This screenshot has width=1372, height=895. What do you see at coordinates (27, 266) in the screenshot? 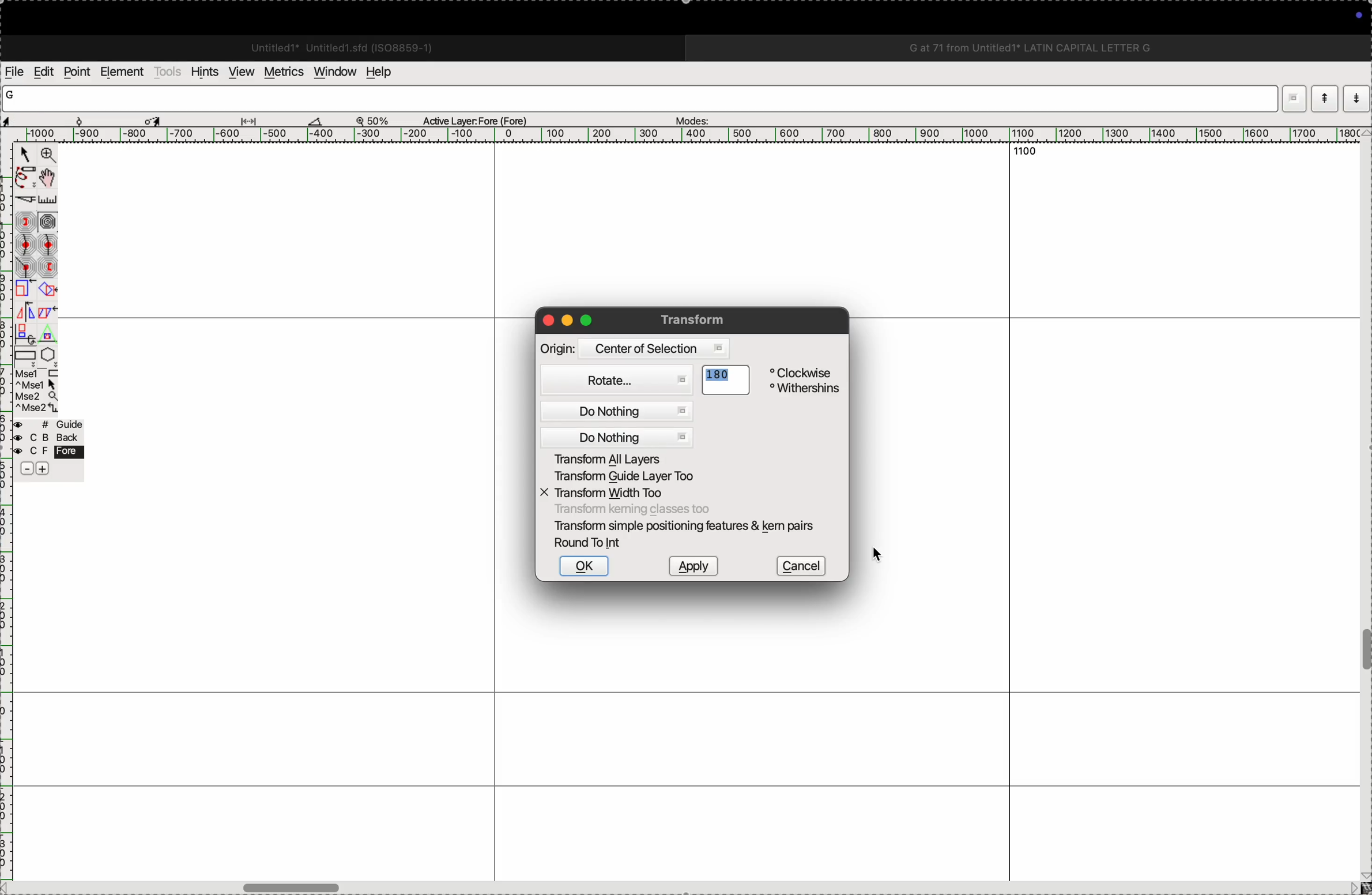
I see `corner` at bounding box center [27, 266].